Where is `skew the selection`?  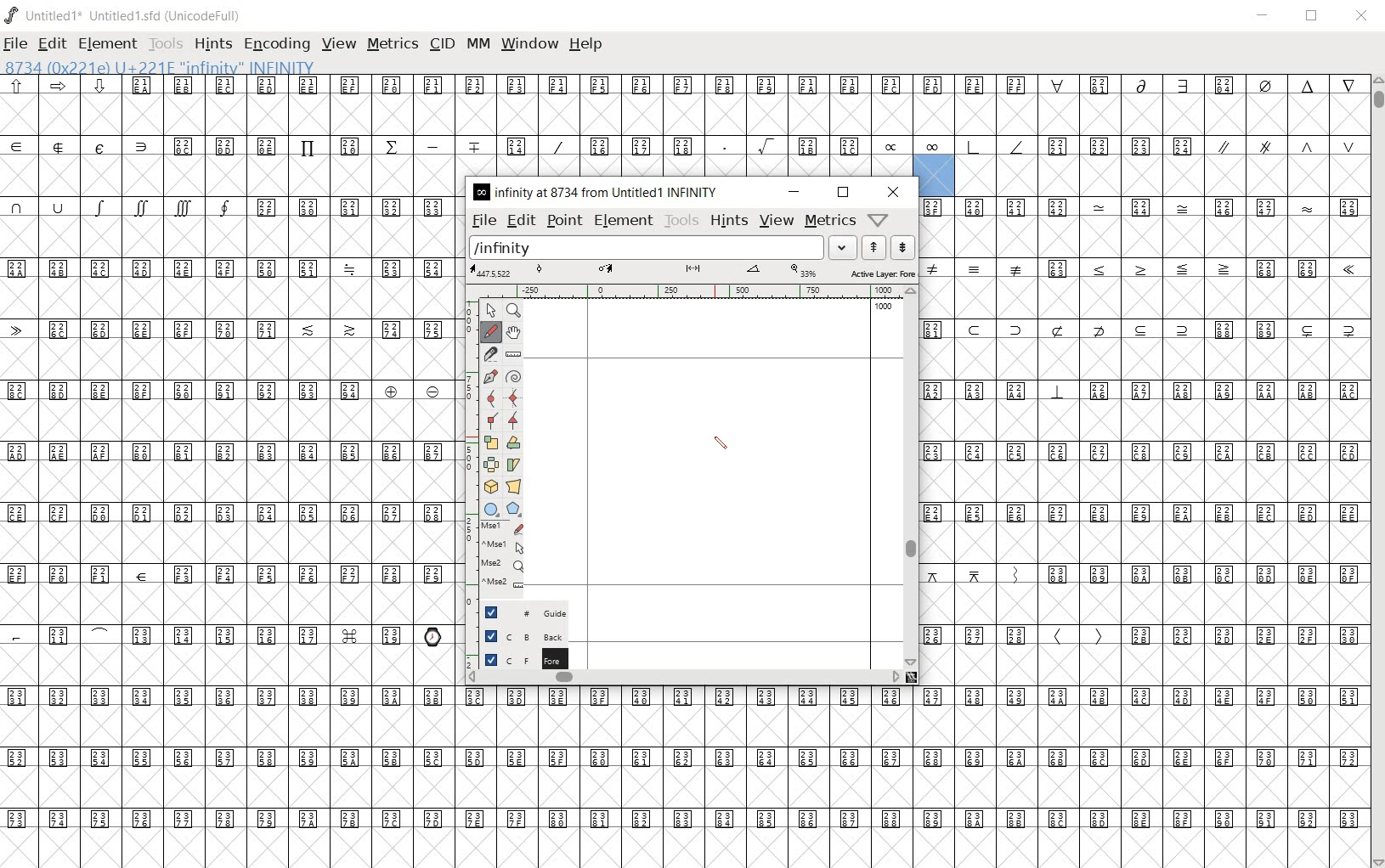
skew the selection is located at coordinates (513, 465).